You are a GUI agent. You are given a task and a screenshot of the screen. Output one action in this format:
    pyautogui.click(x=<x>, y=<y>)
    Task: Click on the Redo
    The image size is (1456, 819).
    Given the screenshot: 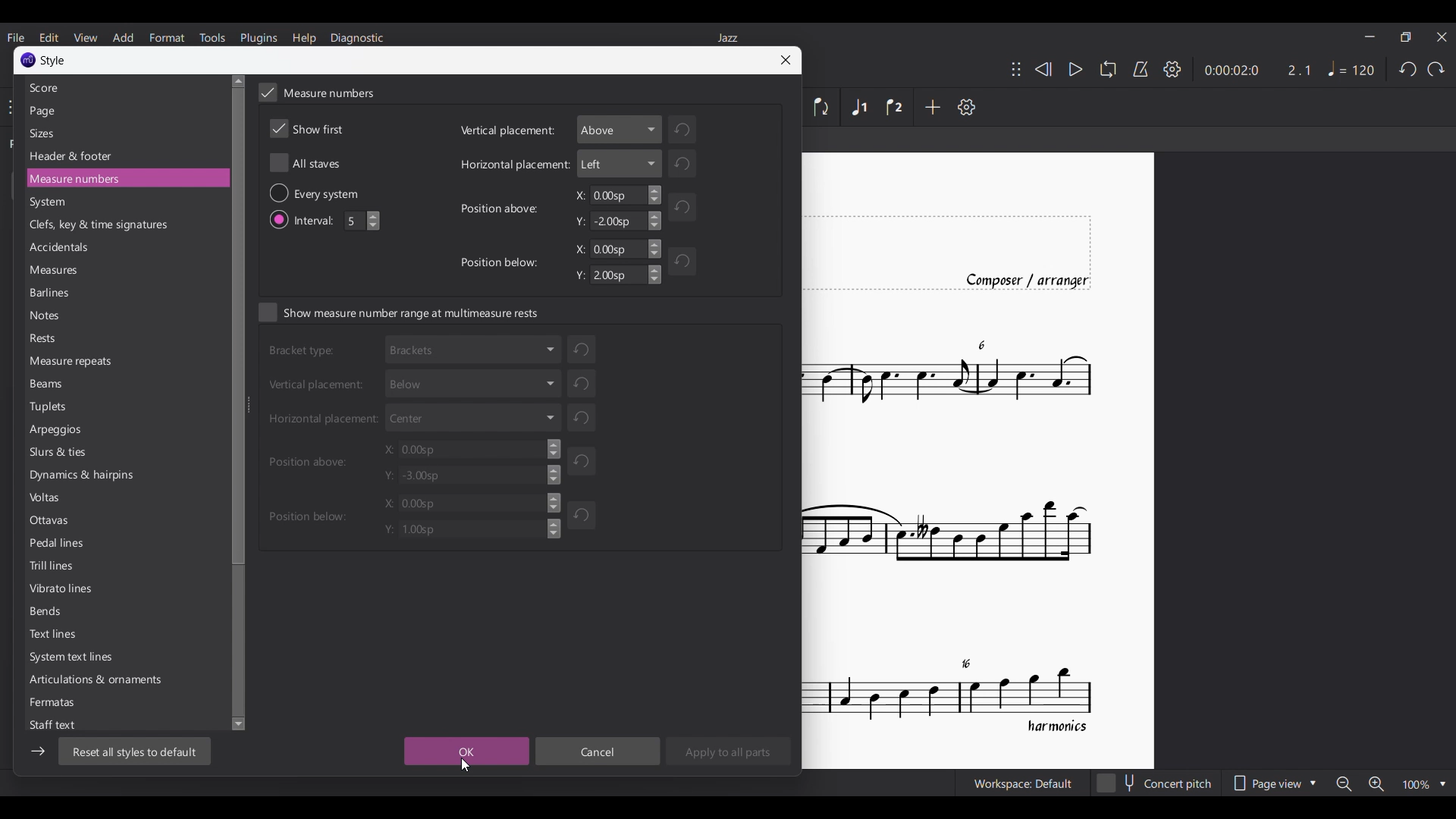 What is the action you would take?
    pyautogui.click(x=1435, y=69)
    